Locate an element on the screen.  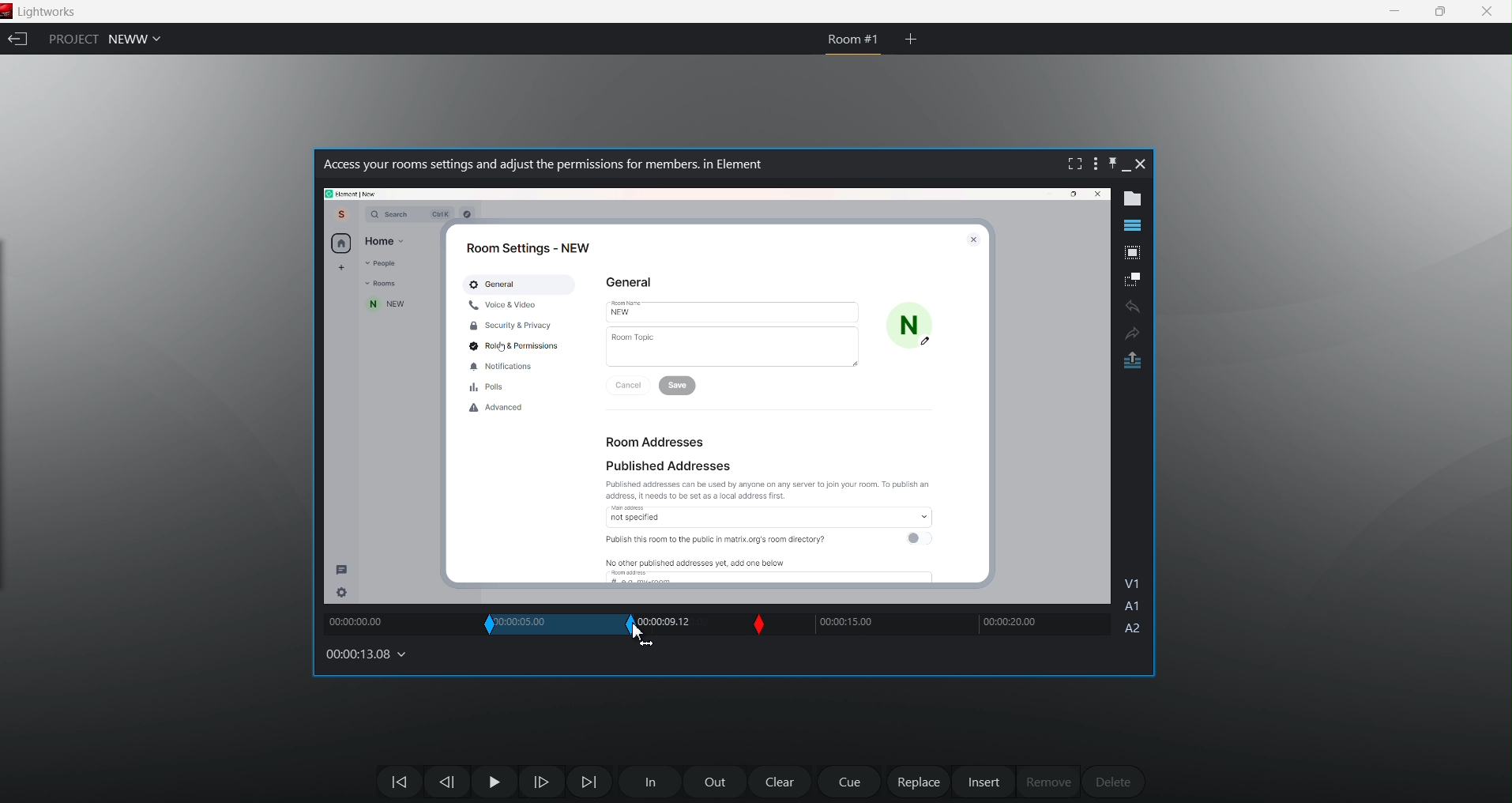
current room is located at coordinates (853, 43).